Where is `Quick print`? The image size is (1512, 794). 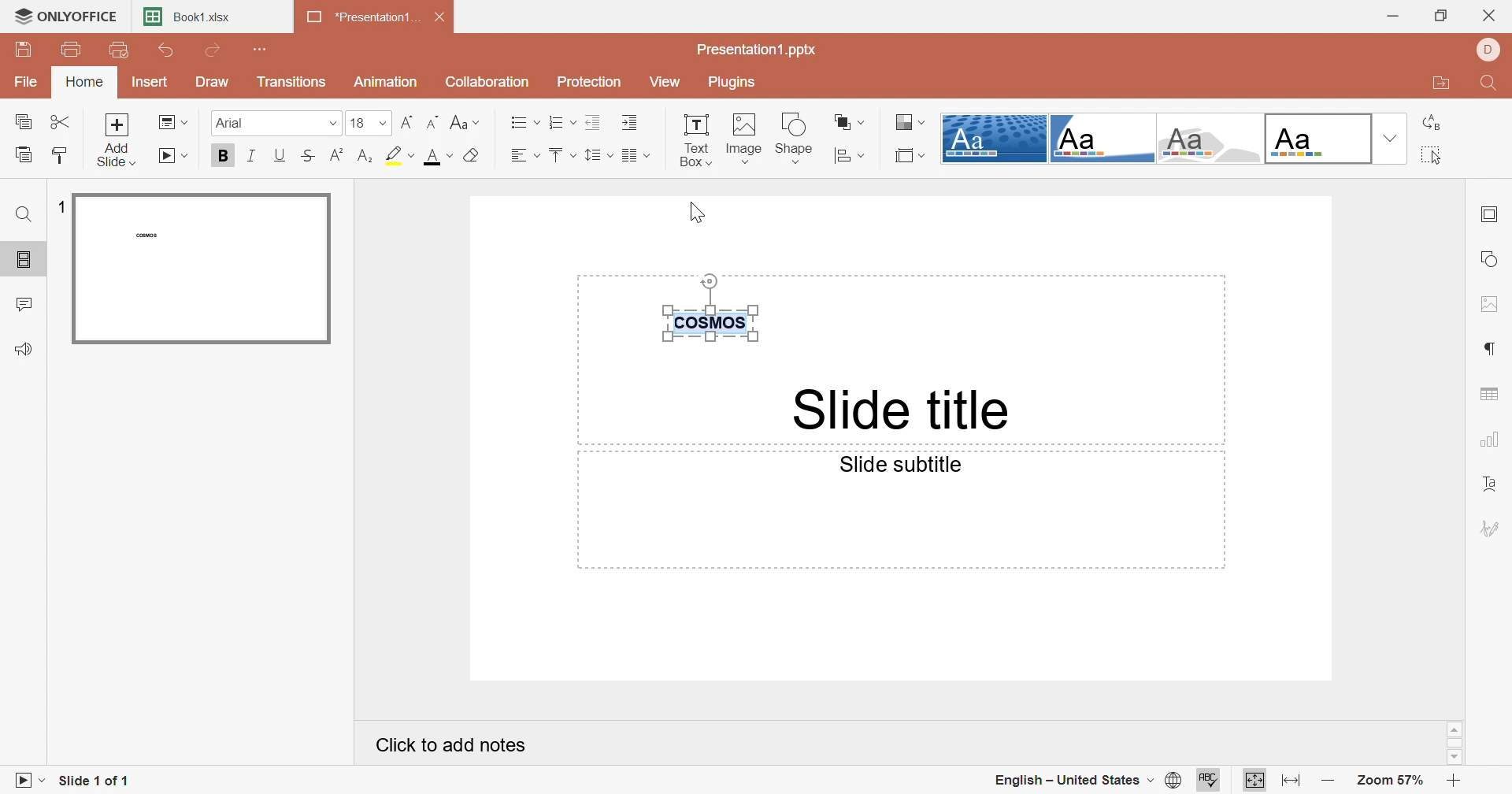 Quick print is located at coordinates (119, 52).